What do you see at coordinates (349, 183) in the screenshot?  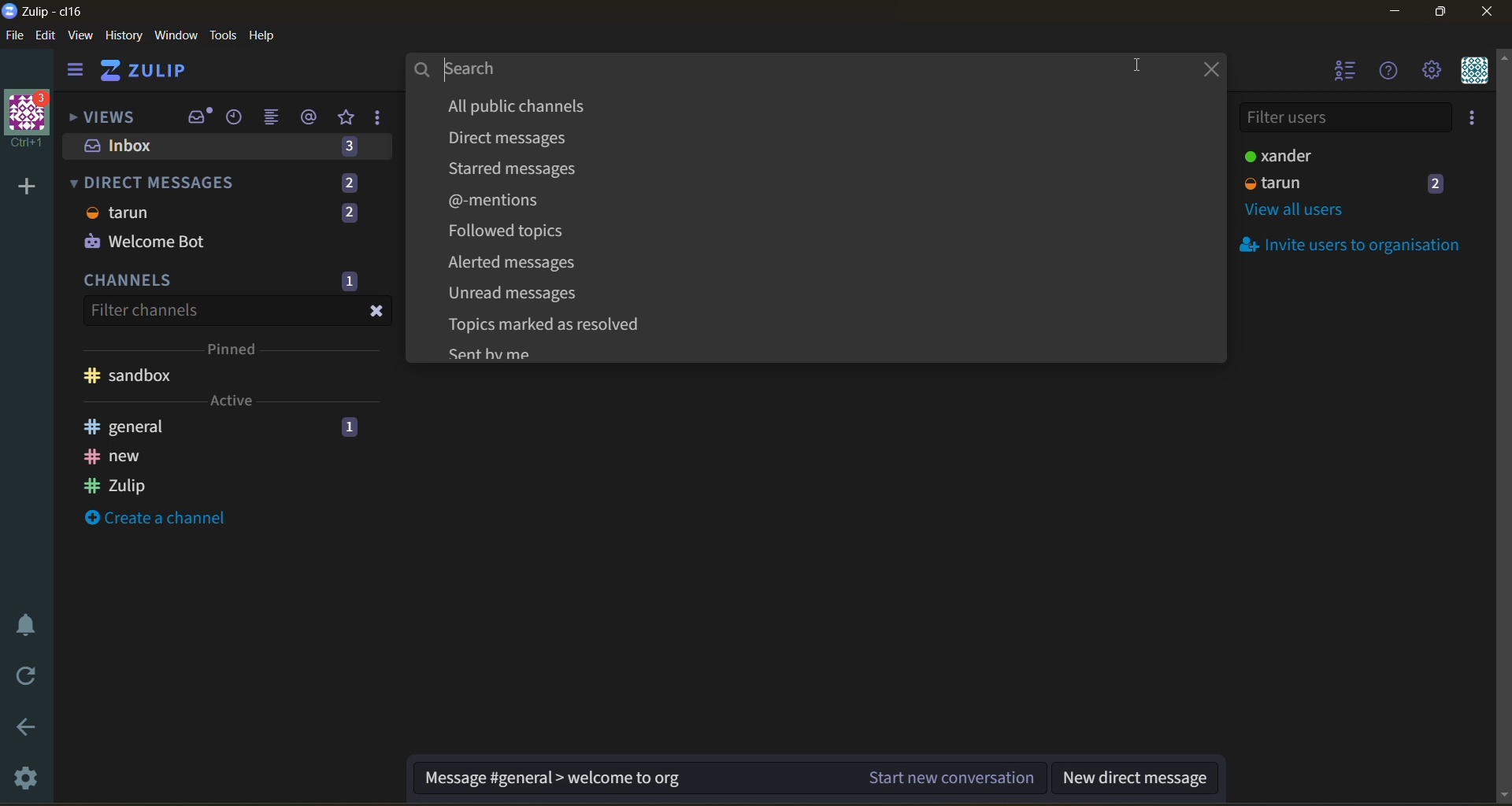 I see `2` at bounding box center [349, 183].